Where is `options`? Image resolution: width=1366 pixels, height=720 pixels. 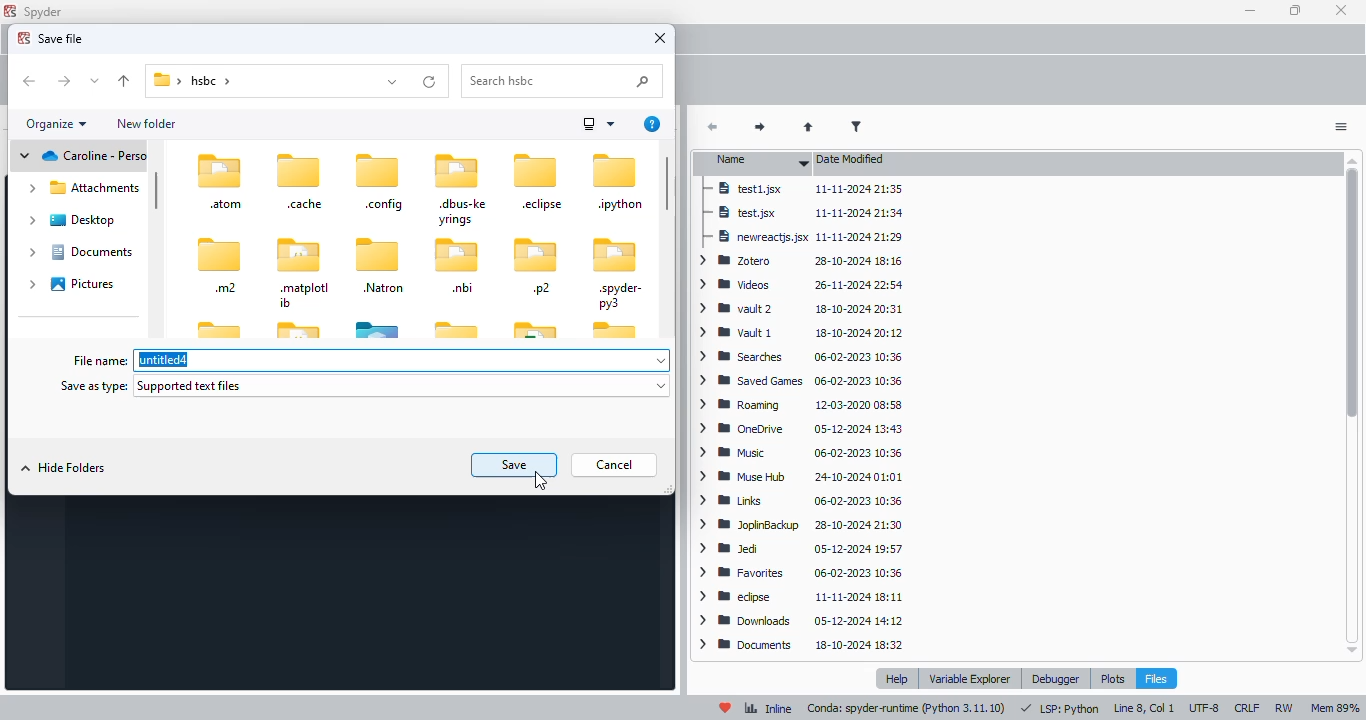 options is located at coordinates (1341, 127).